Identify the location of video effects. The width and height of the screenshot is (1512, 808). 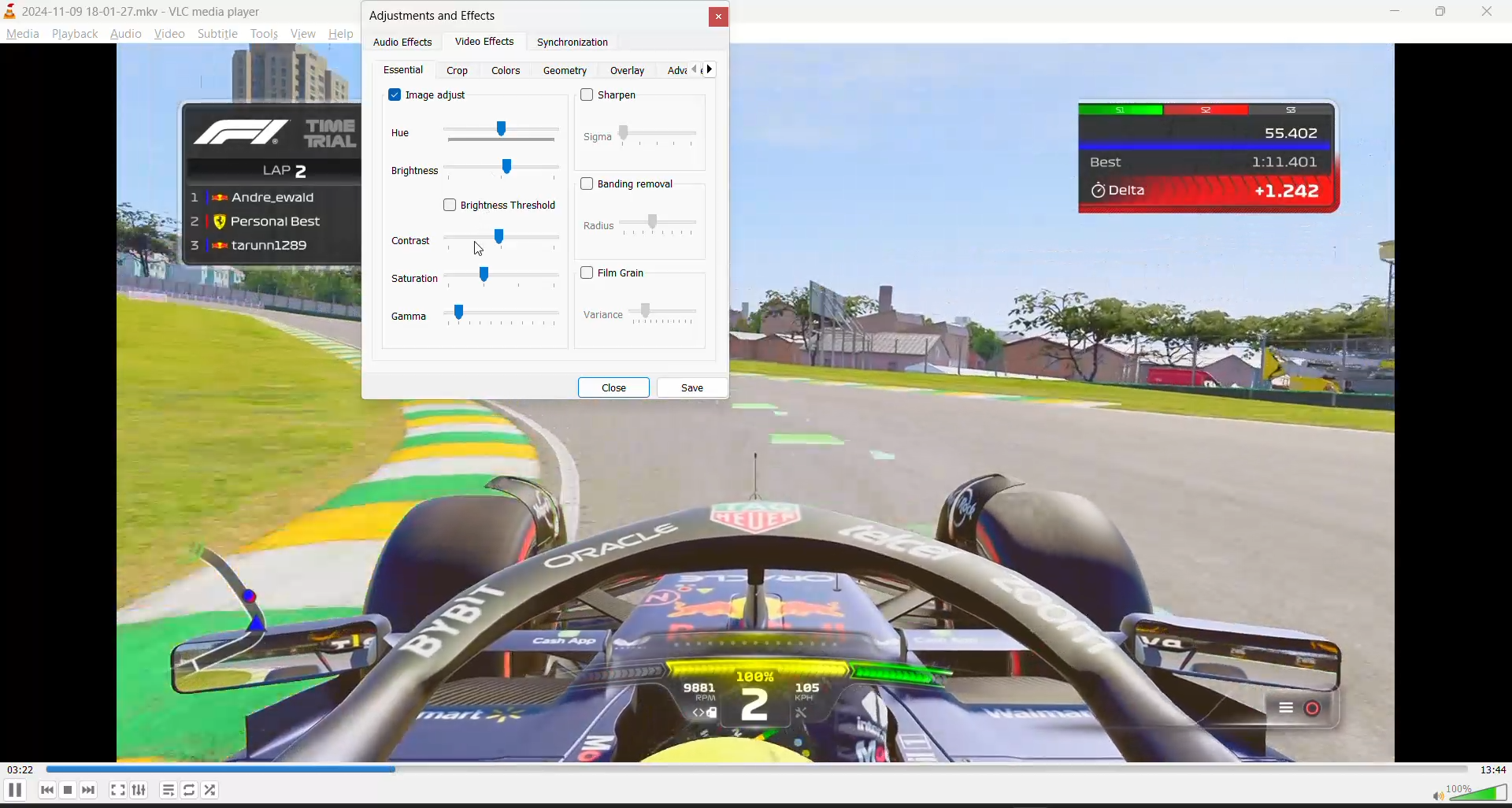
(487, 44).